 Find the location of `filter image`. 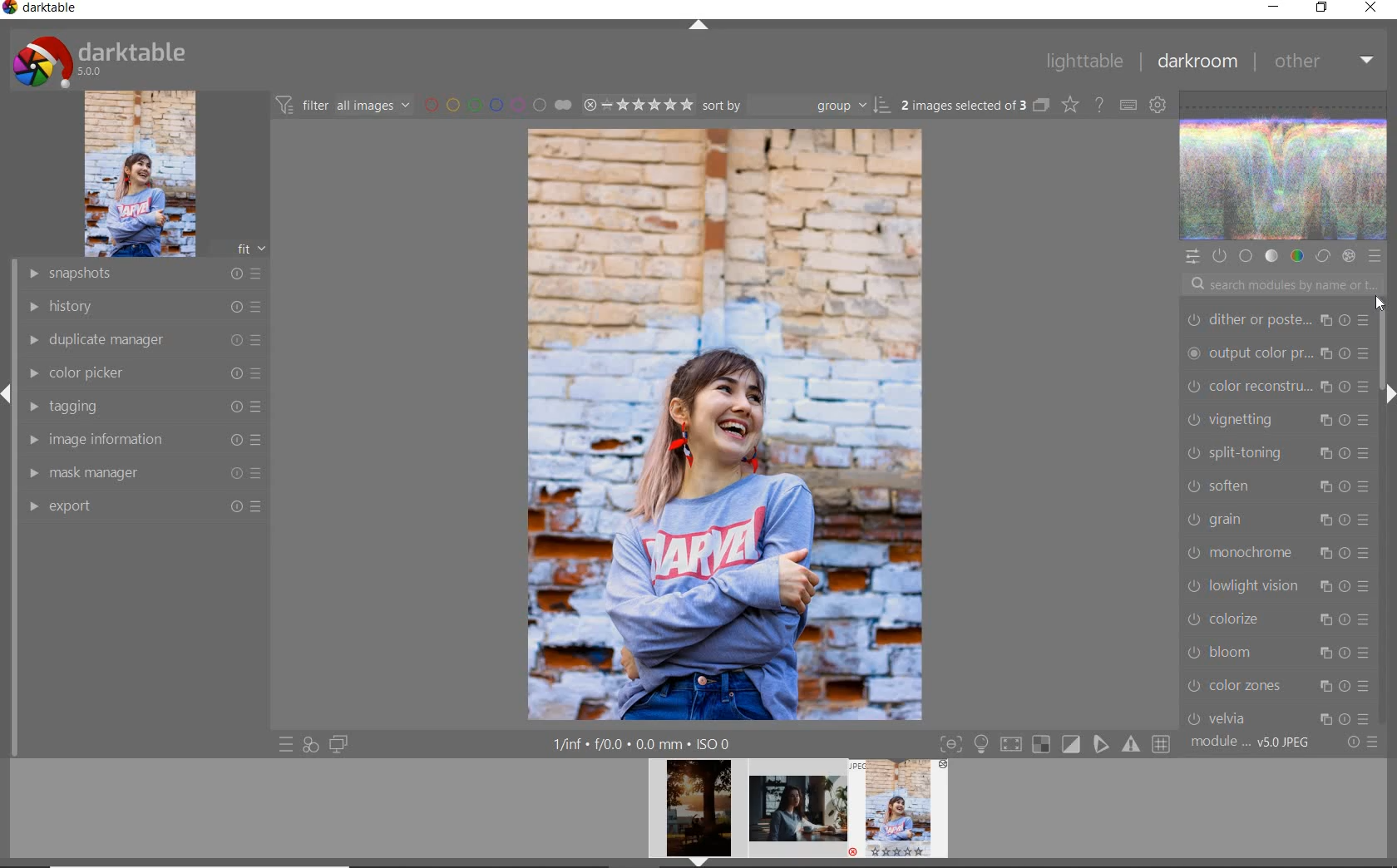

filter image is located at coordinates (343, 104).